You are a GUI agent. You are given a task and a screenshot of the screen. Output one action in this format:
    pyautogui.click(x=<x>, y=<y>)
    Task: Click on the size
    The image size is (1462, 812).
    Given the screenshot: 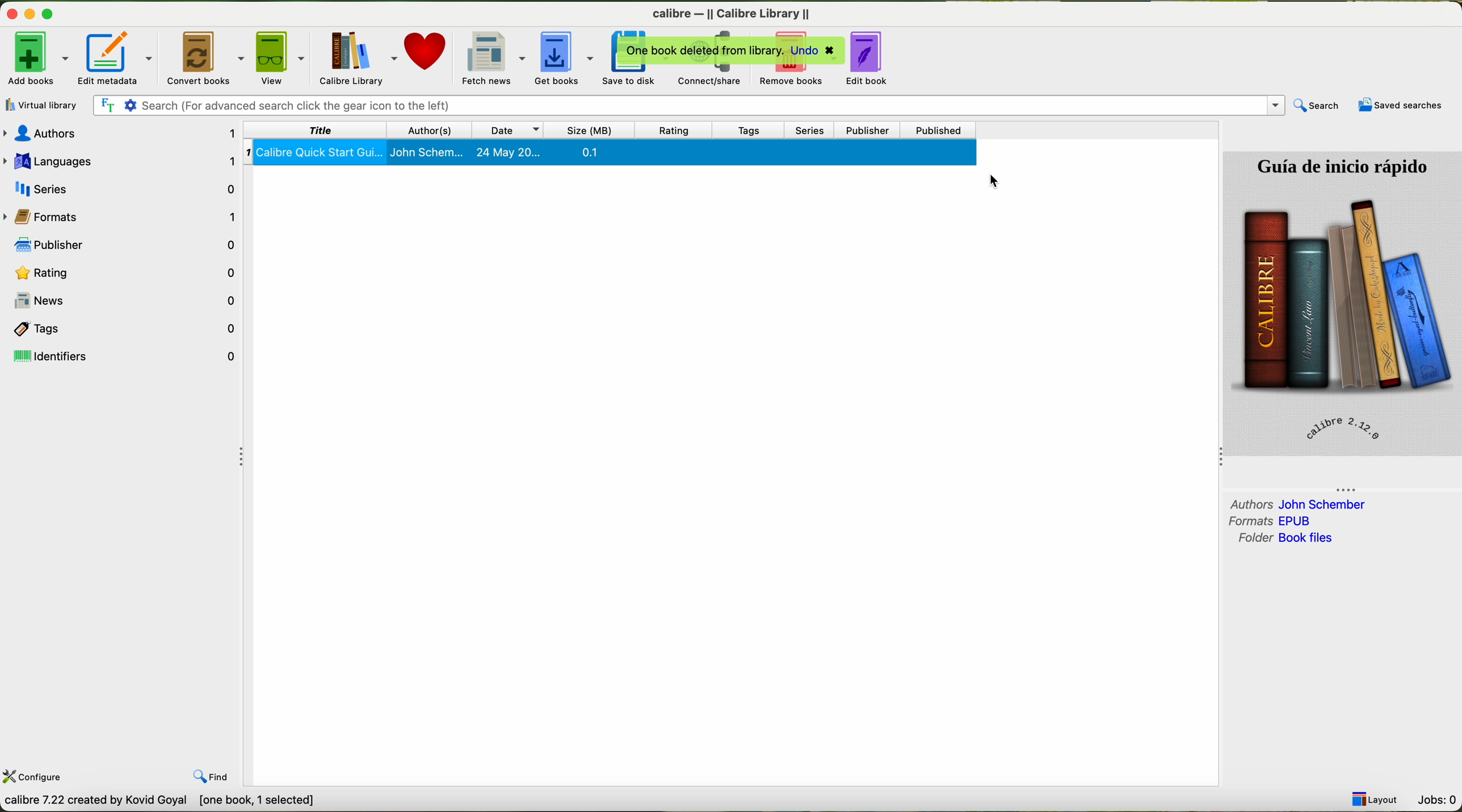 What is the action you would take?
    pyautogui.click(x=592, y=129)
    